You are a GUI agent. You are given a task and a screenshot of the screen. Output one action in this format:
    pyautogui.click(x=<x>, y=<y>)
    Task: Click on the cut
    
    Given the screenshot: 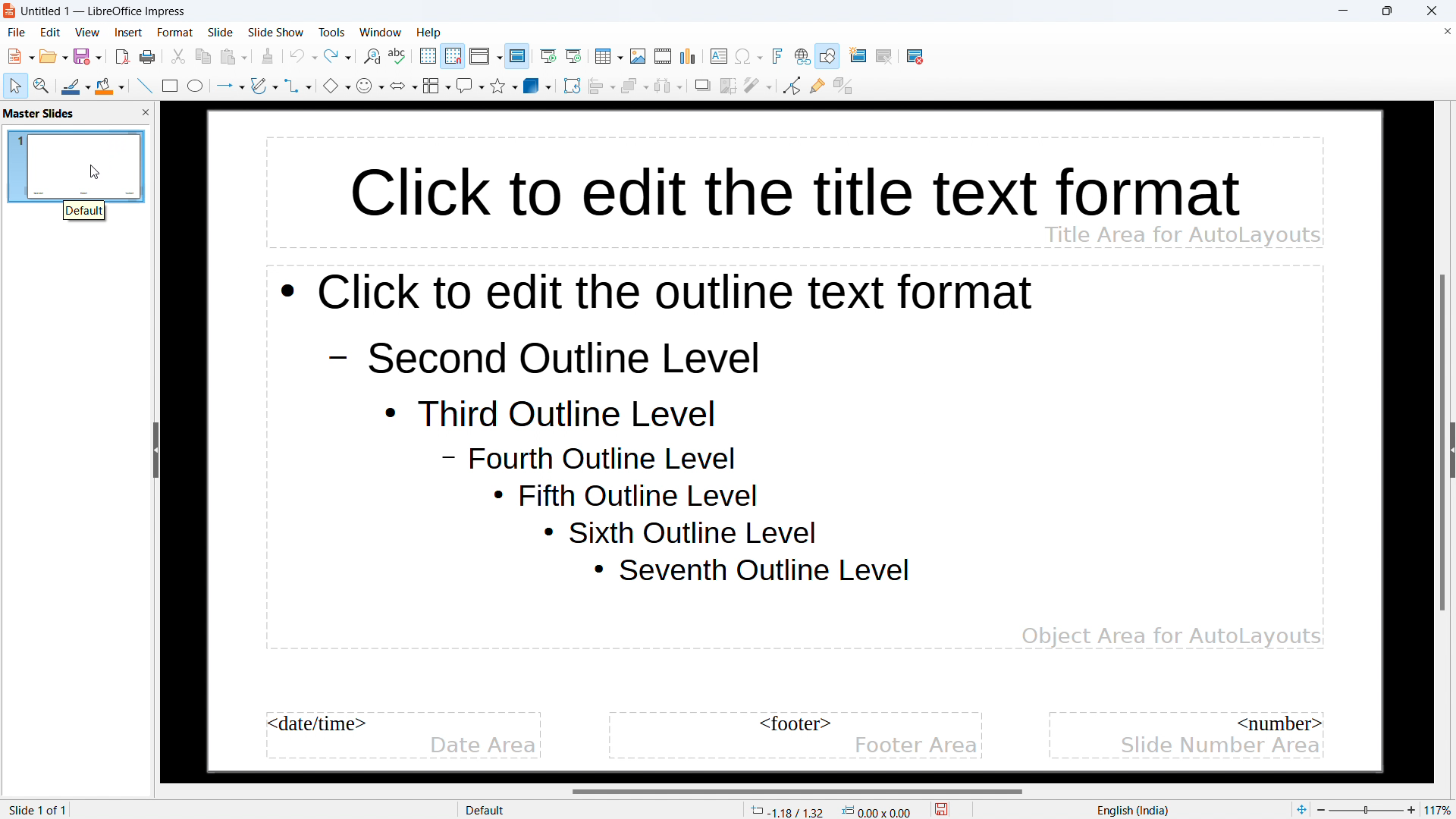 What is the action you would take?
    pyautogui.click(x=178, y=57)
    